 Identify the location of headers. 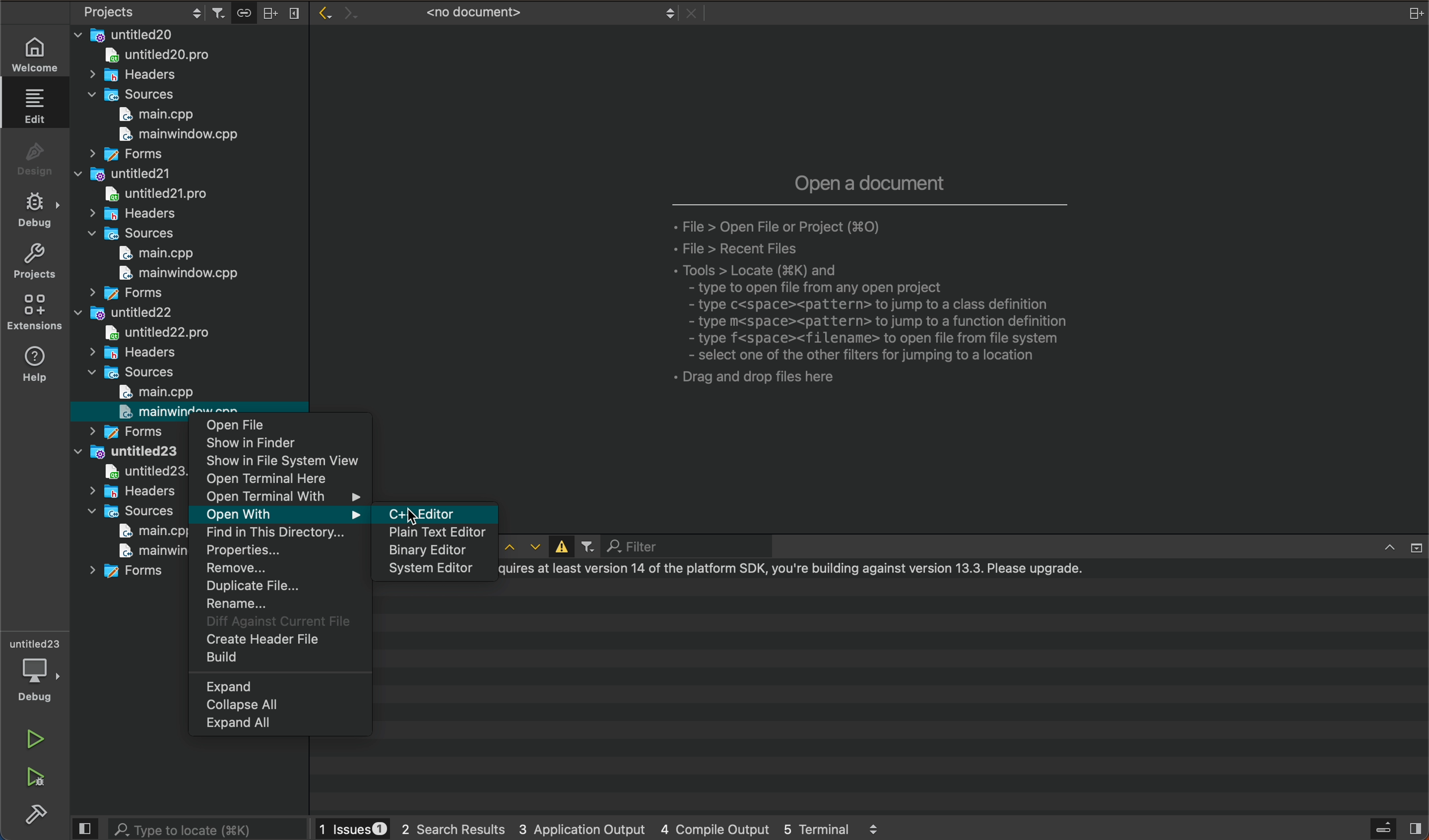
(132, 215).